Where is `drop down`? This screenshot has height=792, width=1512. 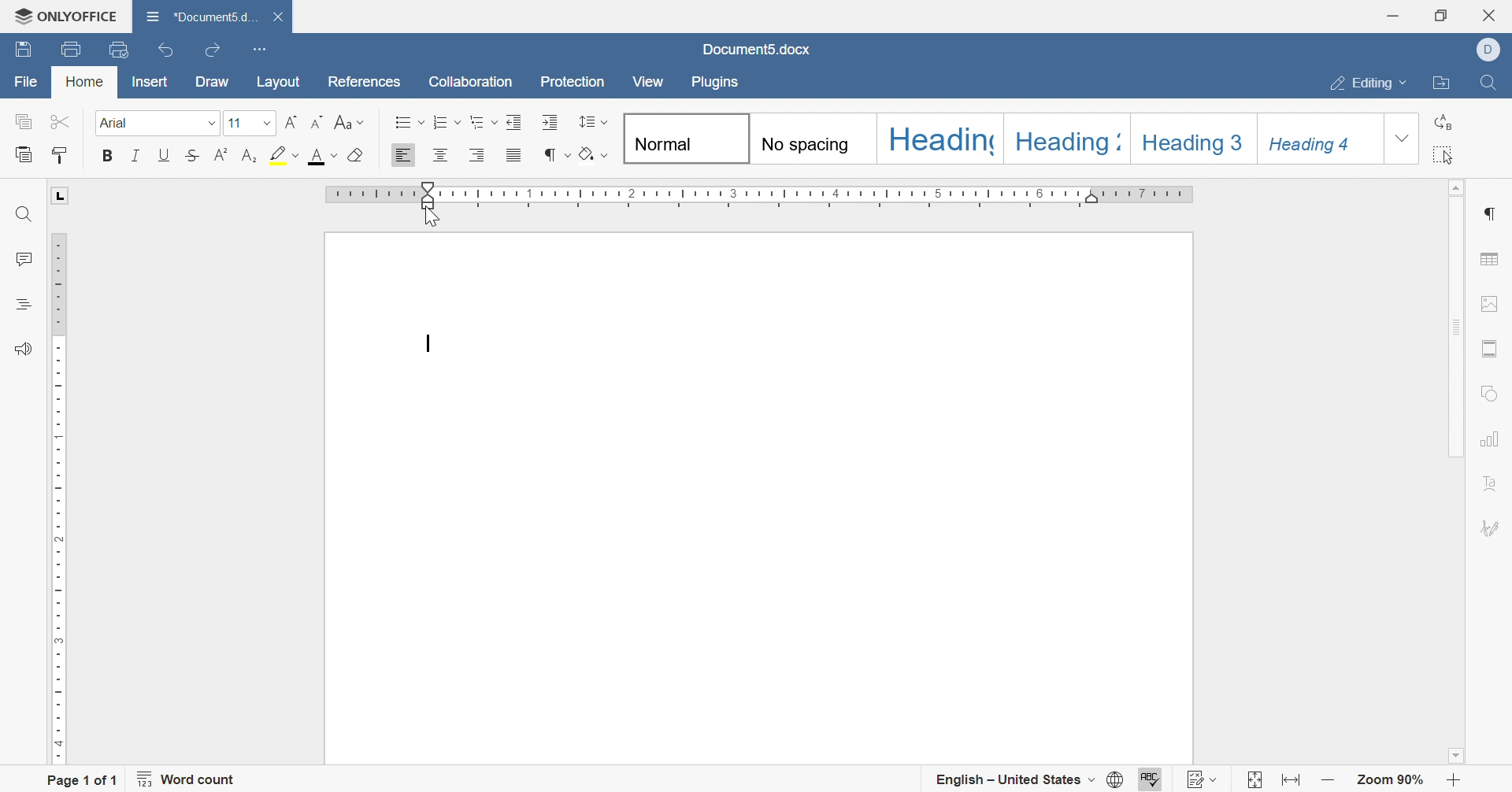 drop down is located at coordinates (210, 124).